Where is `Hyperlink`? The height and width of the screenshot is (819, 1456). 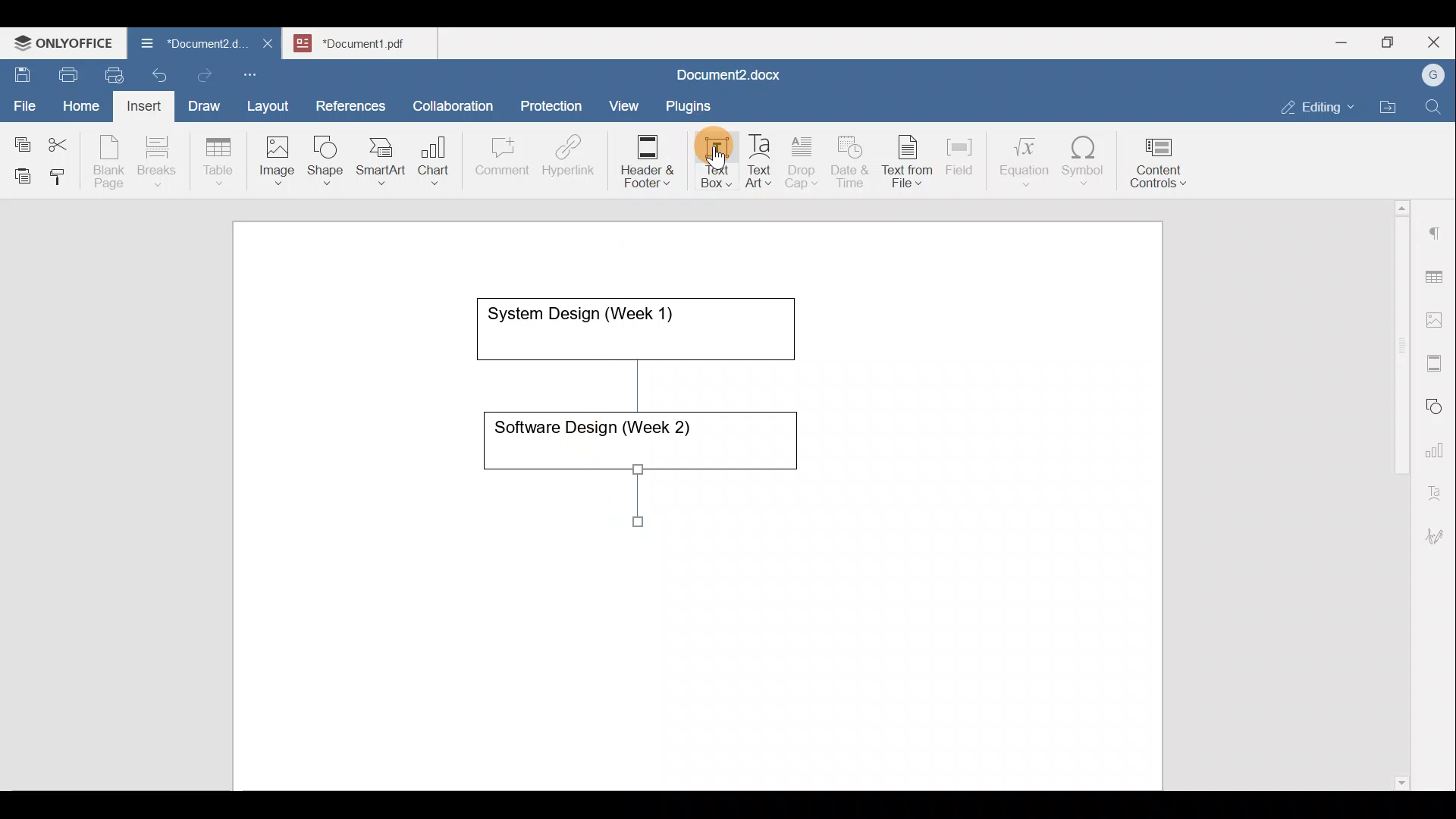
Hyperlink is located at coordinates (573, 160).